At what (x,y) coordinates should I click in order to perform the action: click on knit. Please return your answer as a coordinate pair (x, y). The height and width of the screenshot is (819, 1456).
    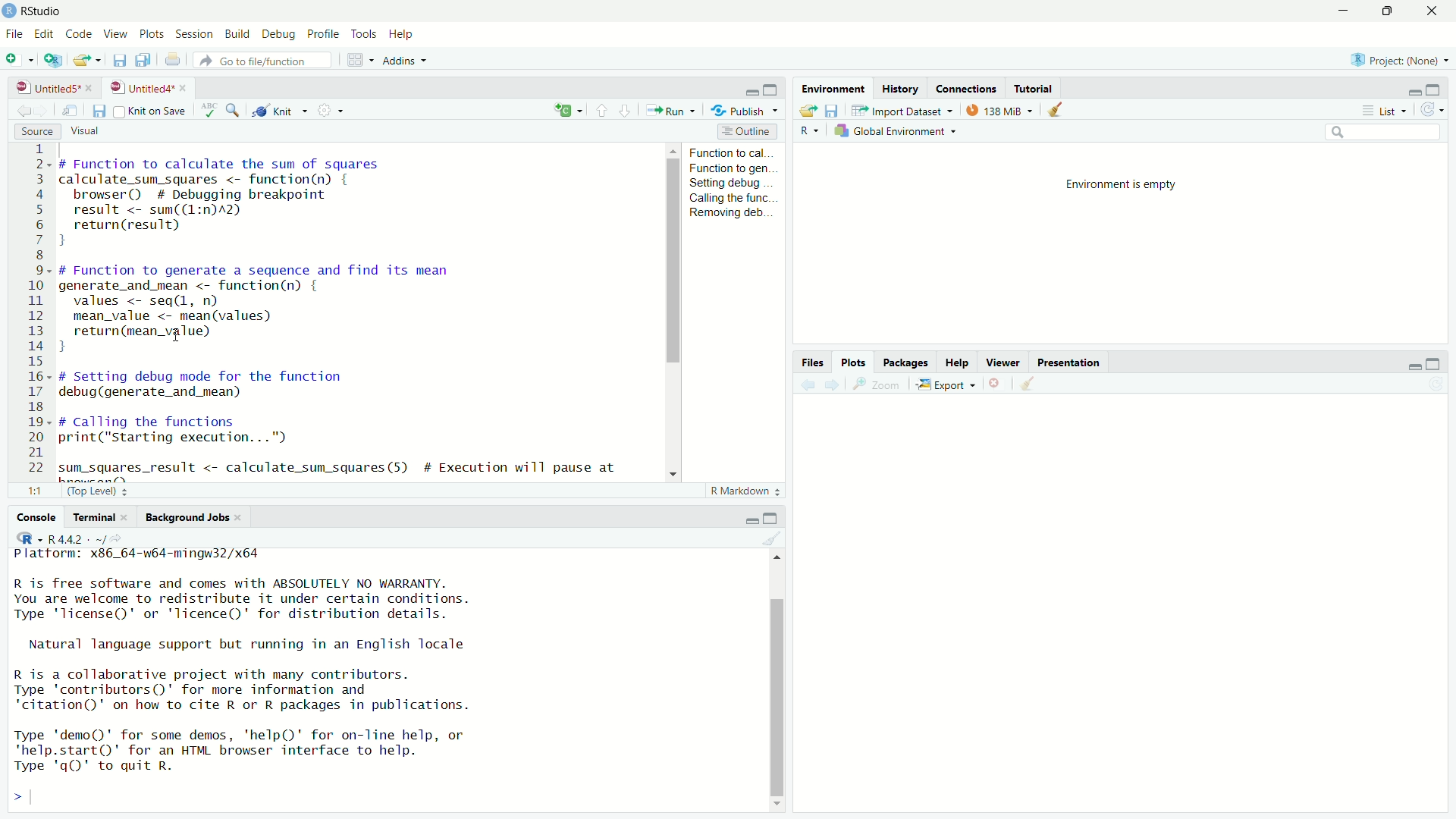
    Looking at the image, I should click on (284, 108).